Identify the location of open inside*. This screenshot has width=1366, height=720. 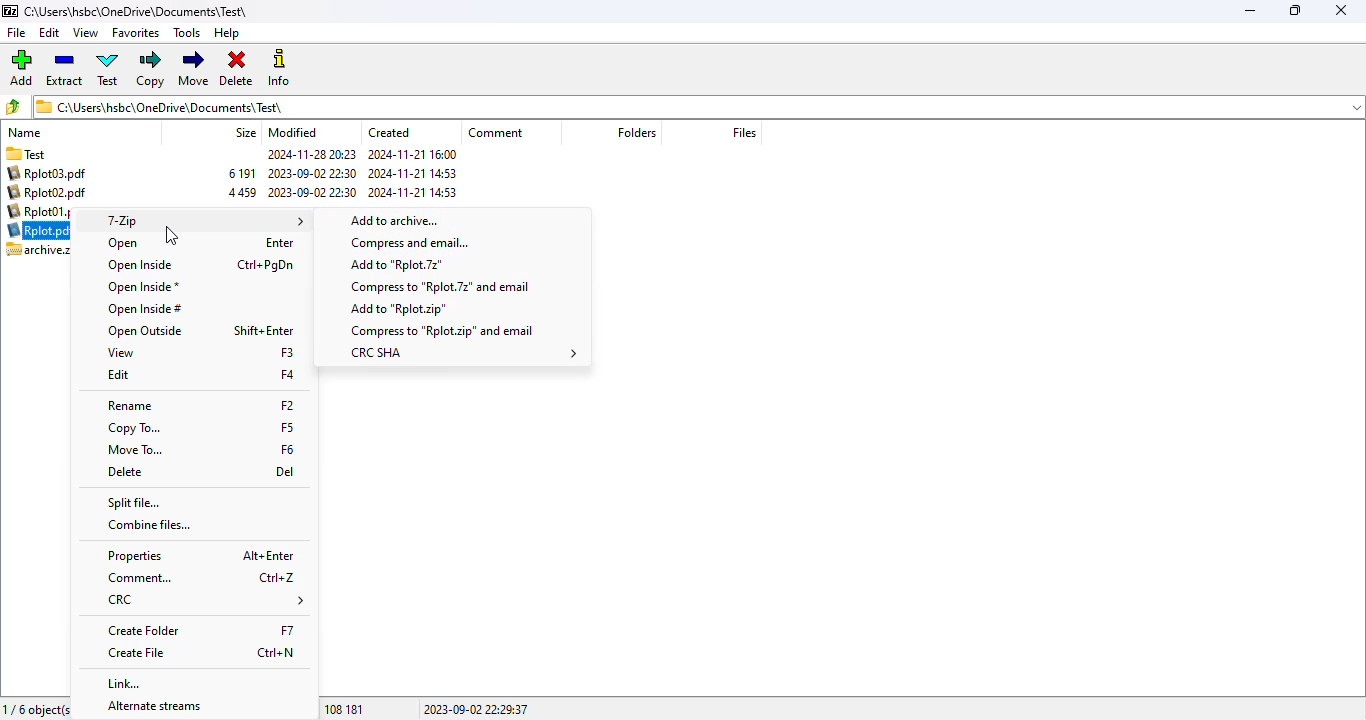
(144, 287).